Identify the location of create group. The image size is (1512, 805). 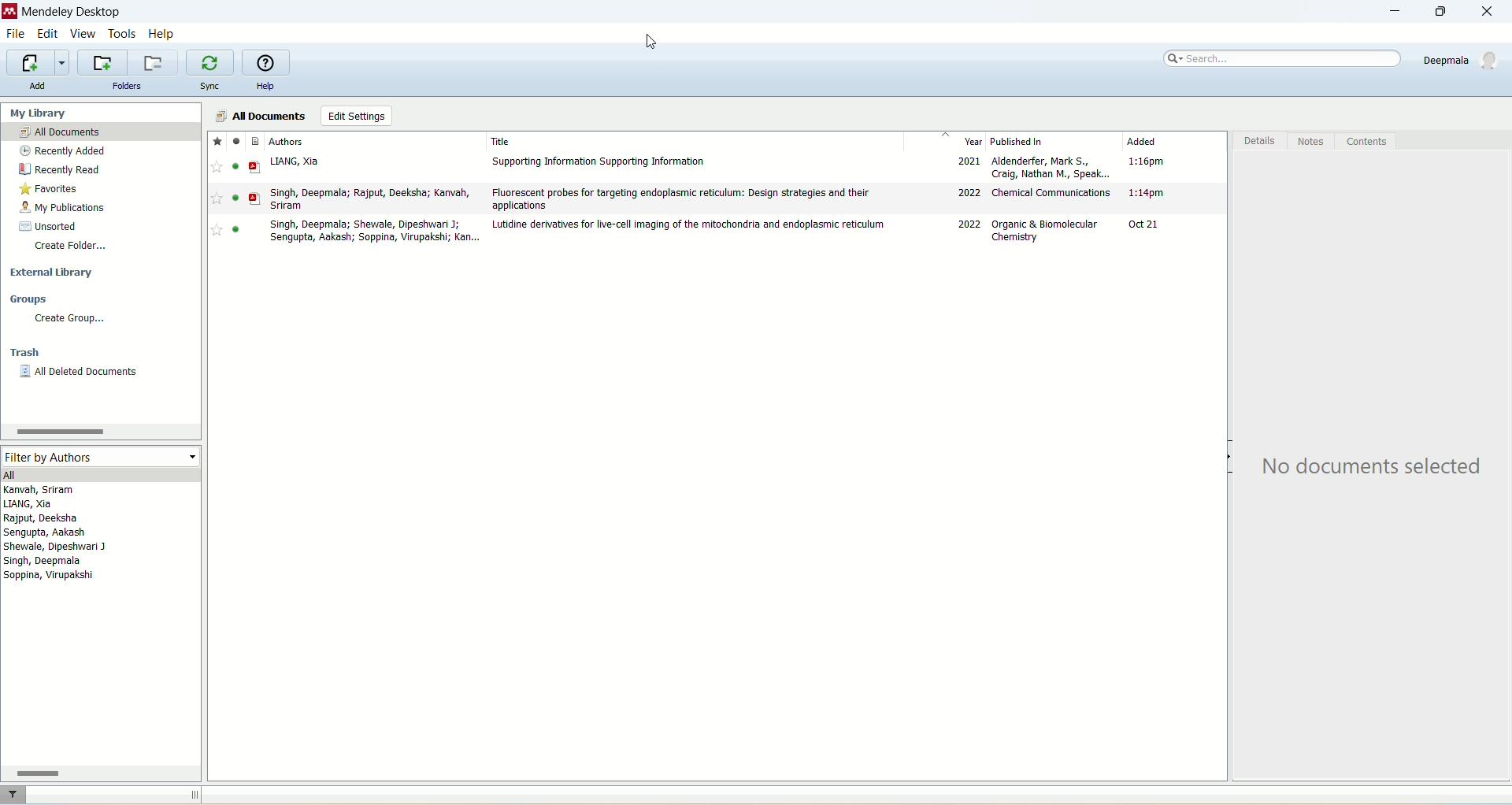
(68, 318).